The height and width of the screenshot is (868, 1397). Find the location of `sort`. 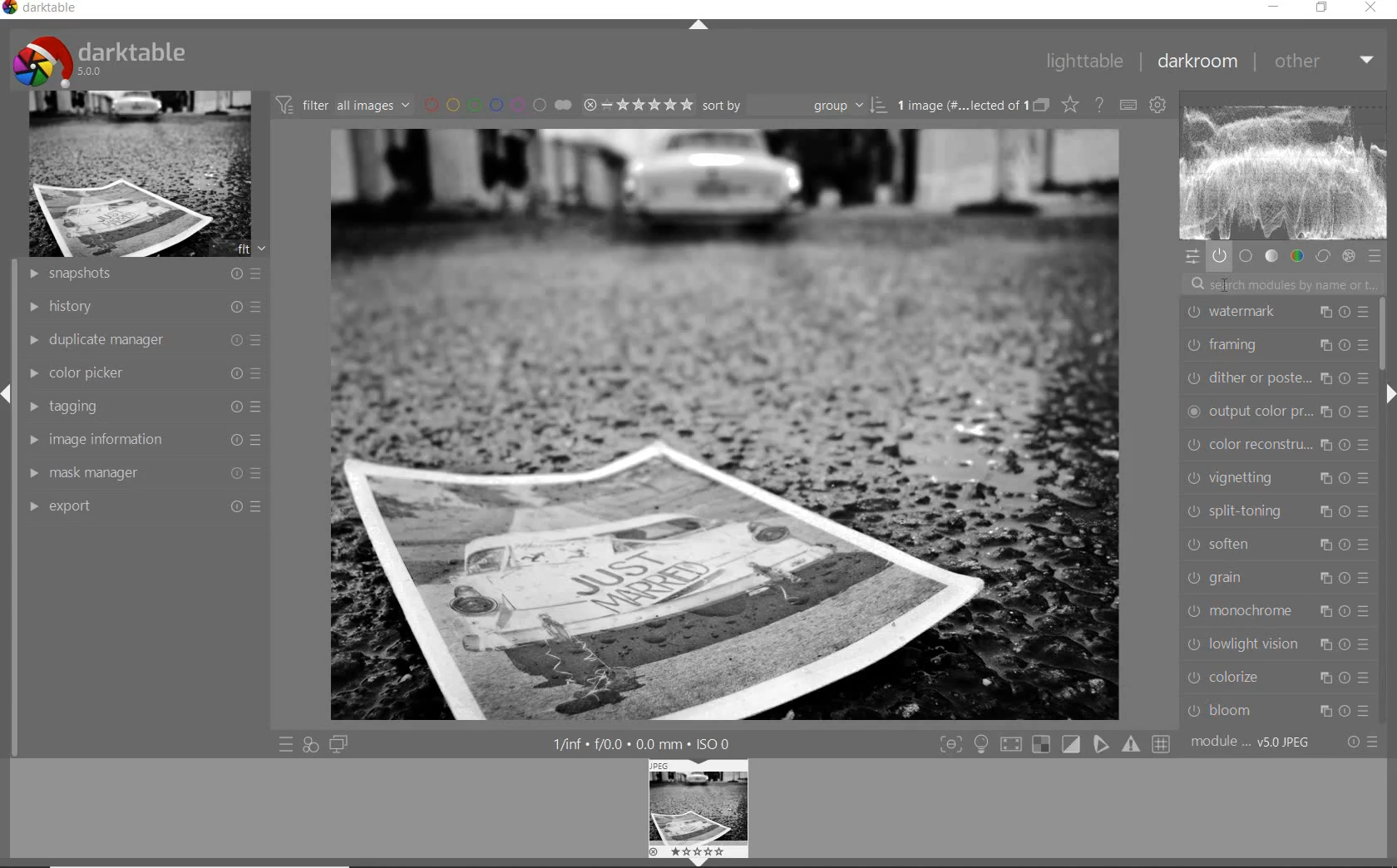

sort is located at coordinates (795, 105).